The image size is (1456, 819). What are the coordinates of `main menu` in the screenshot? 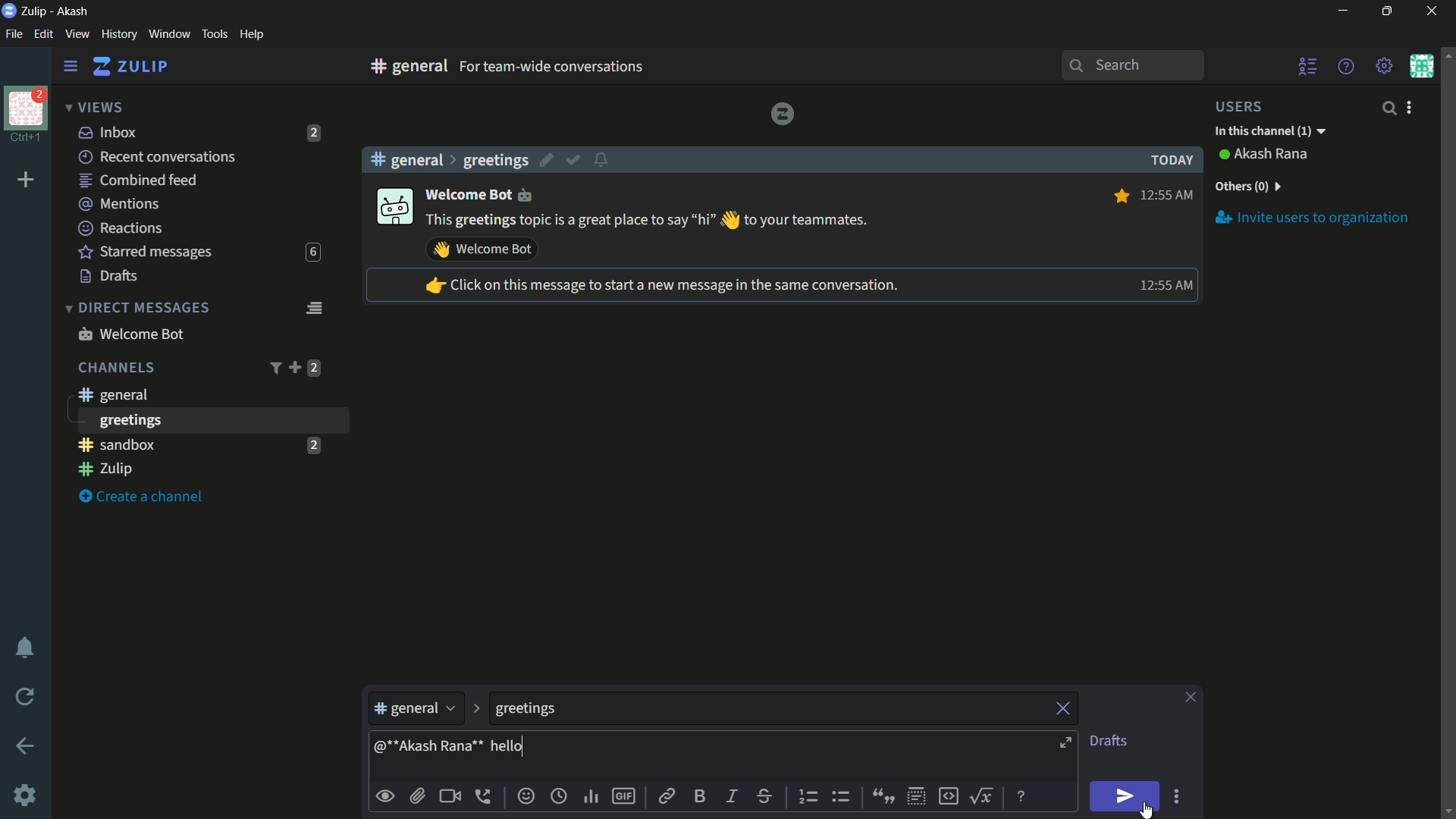 It's located at (1385, 66).